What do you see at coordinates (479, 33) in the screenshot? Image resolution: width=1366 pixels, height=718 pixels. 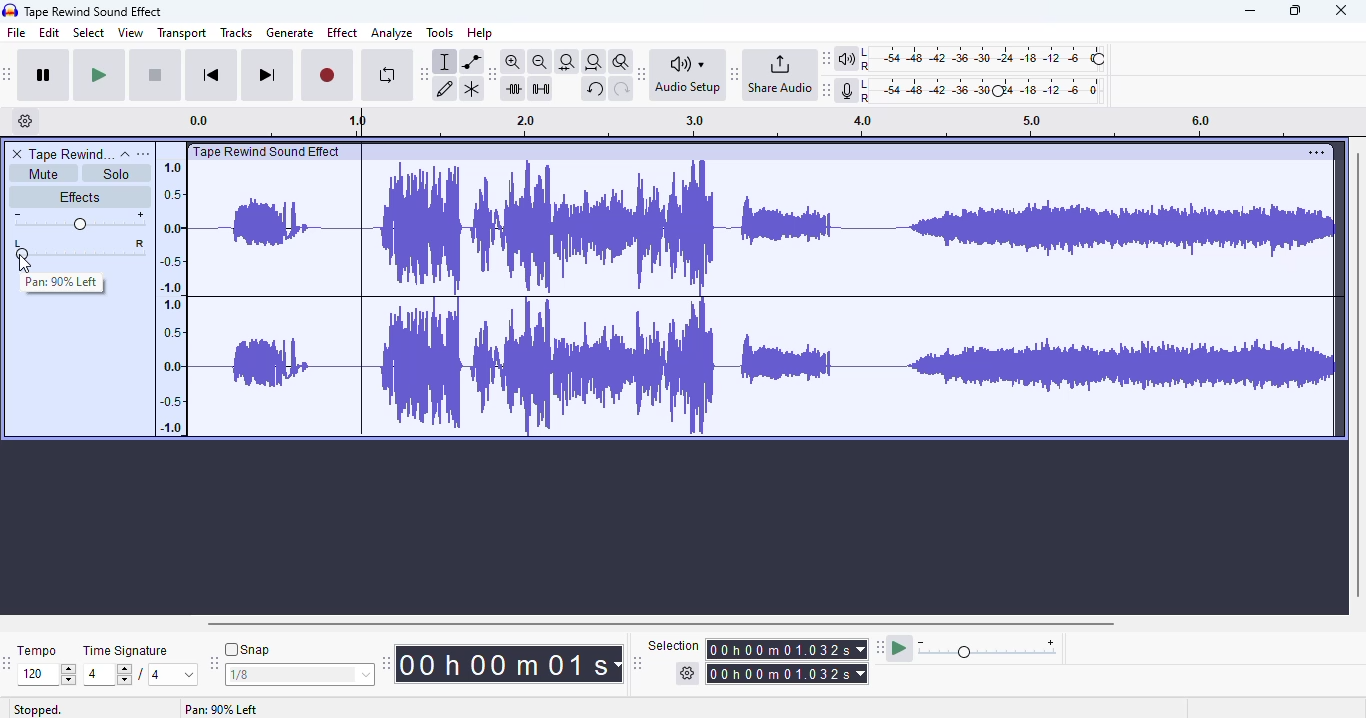 I see `help` at bounding box center [479, 33].